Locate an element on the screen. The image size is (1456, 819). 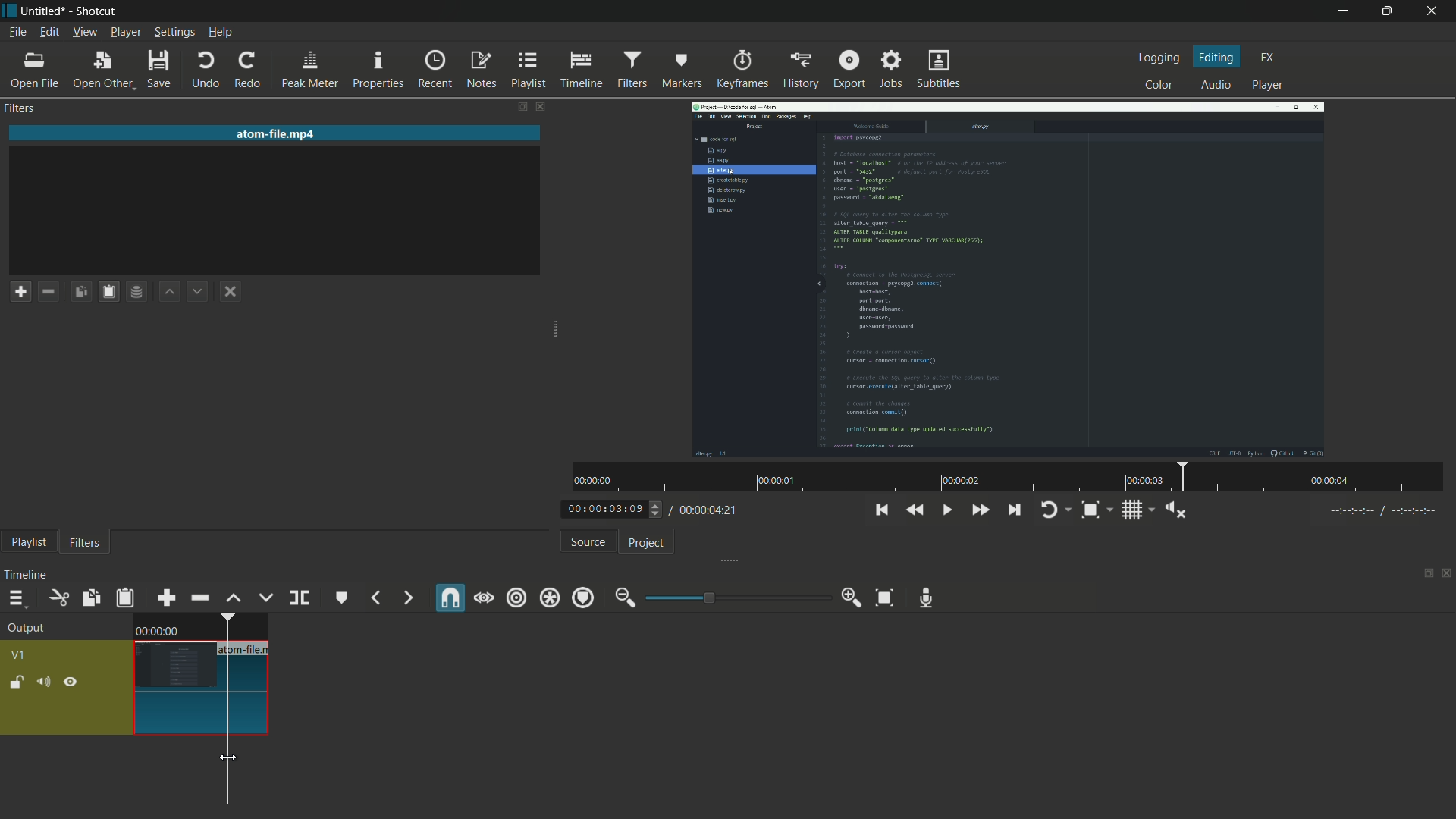
minimize is located at coordinates (1341, 11).